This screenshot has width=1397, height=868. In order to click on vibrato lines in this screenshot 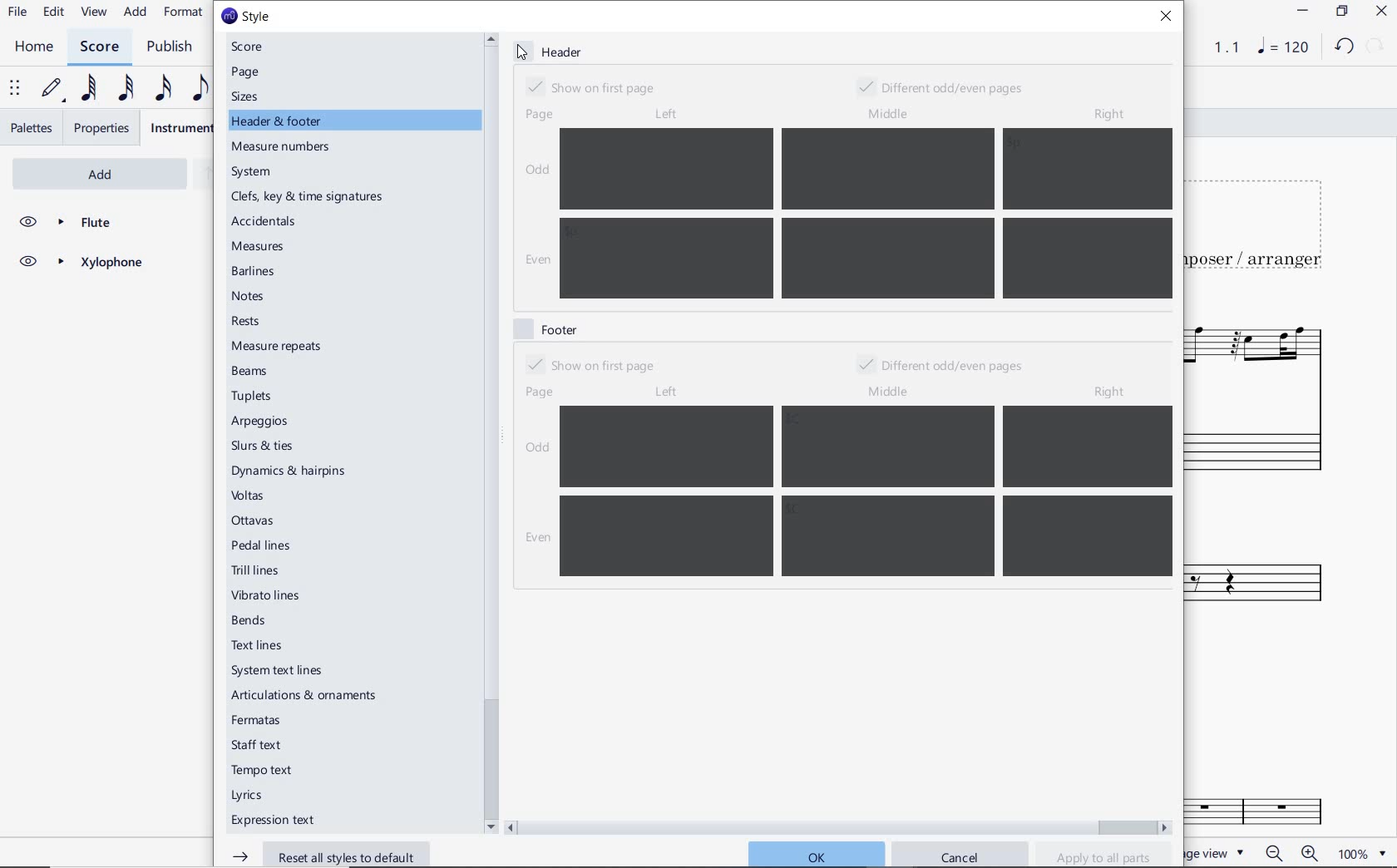, I will do `click(270, 596)`.